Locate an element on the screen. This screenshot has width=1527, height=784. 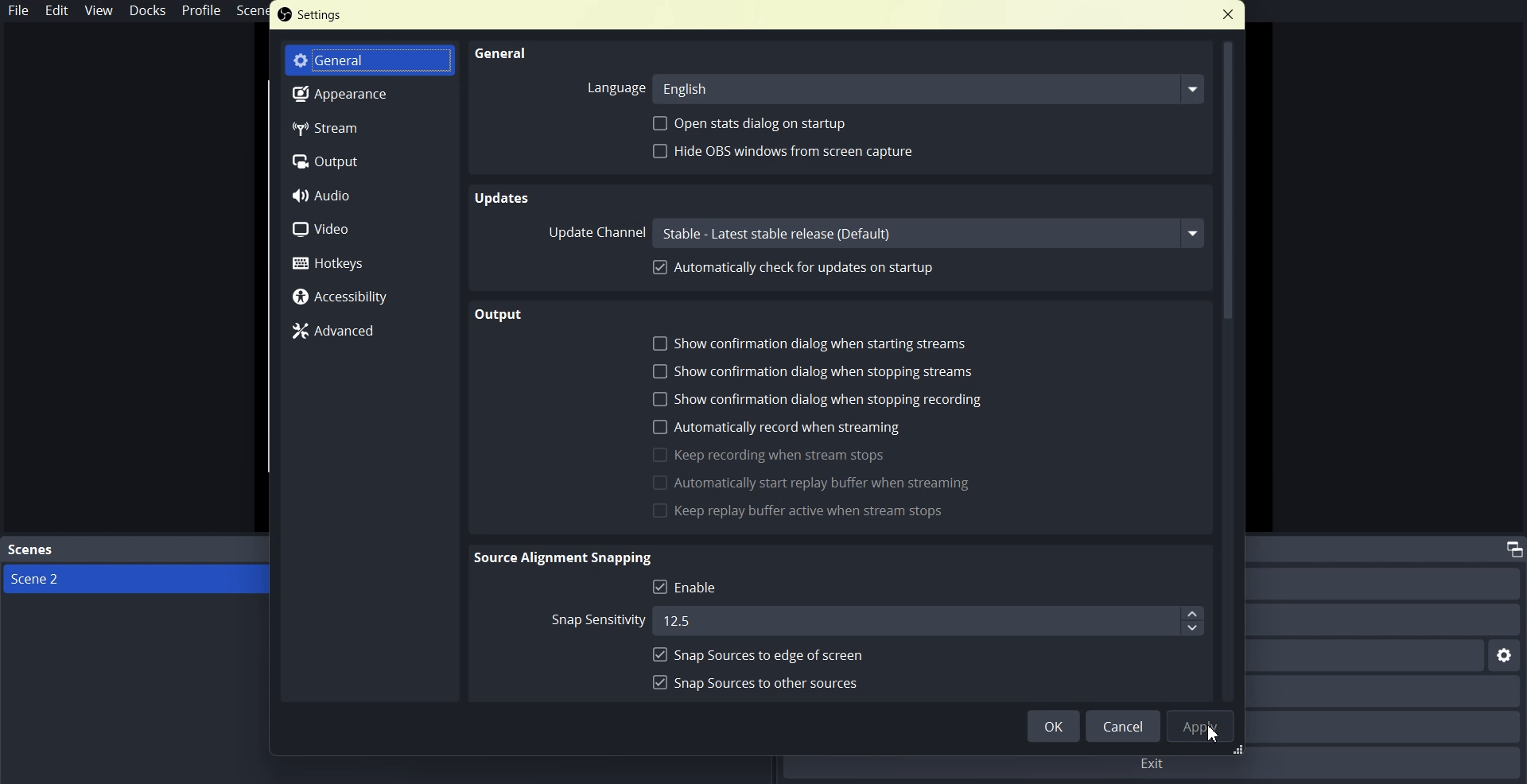
Open stats dialogue on startup is located at coordinates (756, 122).